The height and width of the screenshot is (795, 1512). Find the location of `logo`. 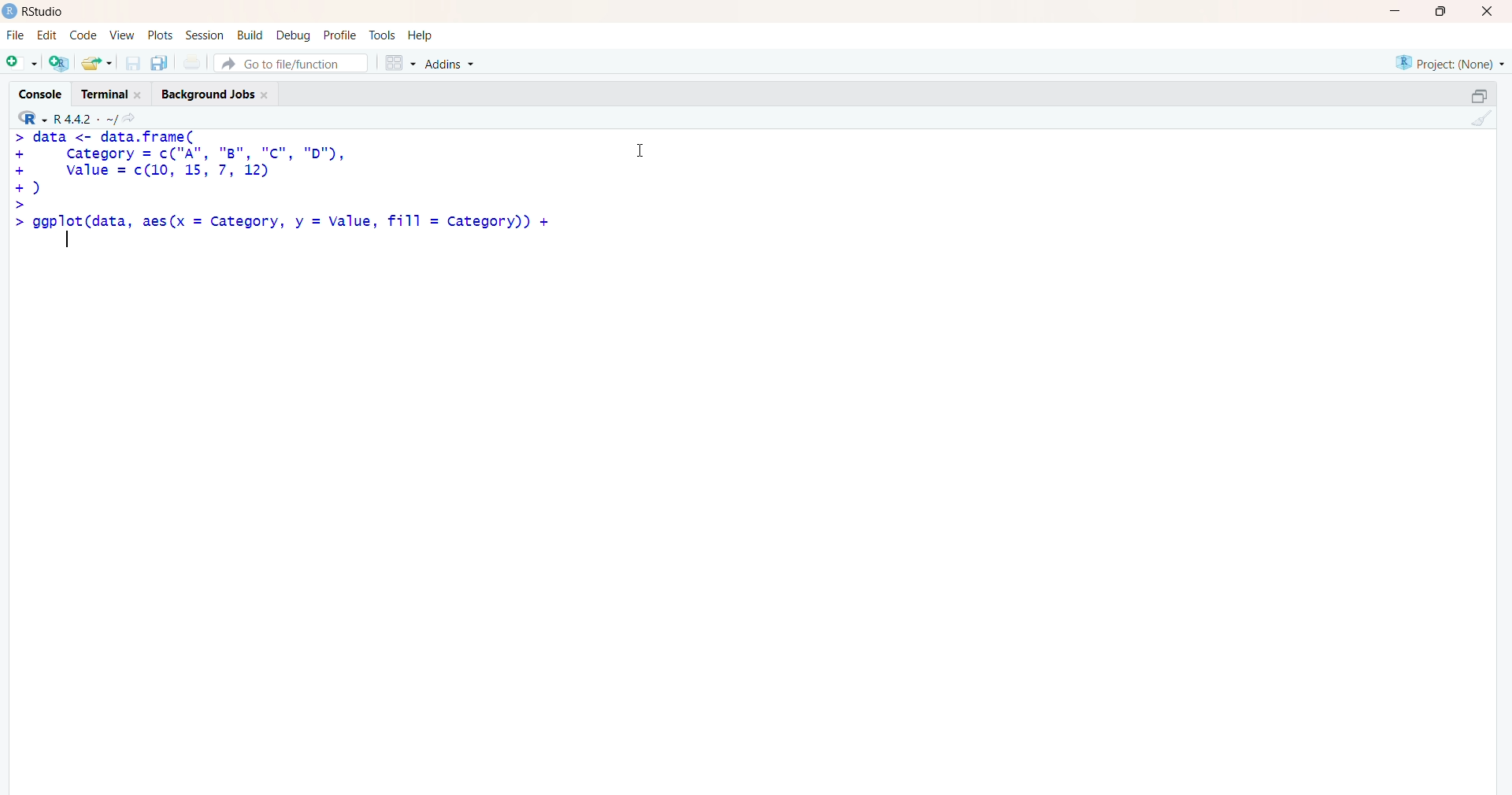

logo is located at coordinates (10, 11).